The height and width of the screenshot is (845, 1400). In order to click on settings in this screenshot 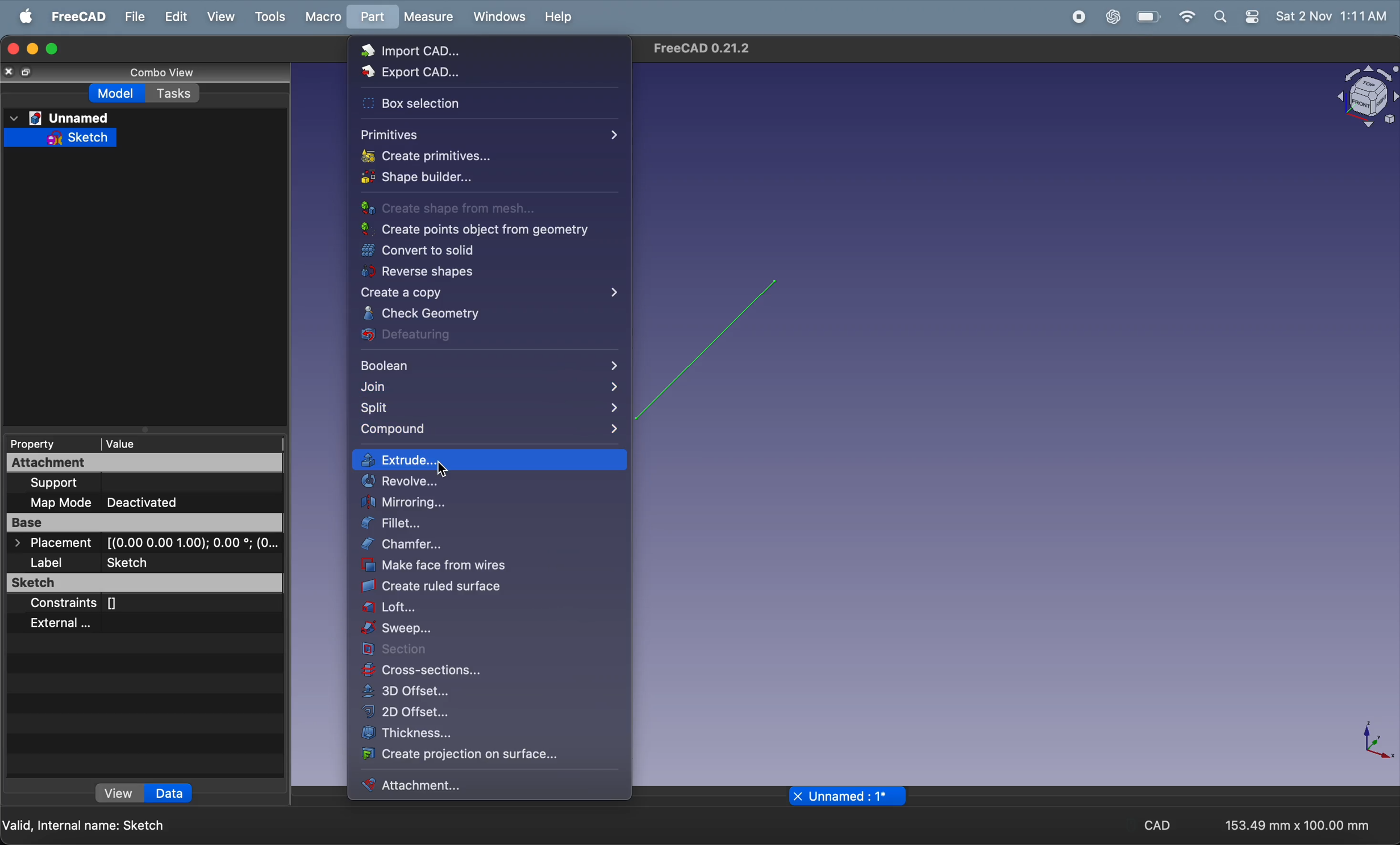, I will do `click(1252, 17)`.